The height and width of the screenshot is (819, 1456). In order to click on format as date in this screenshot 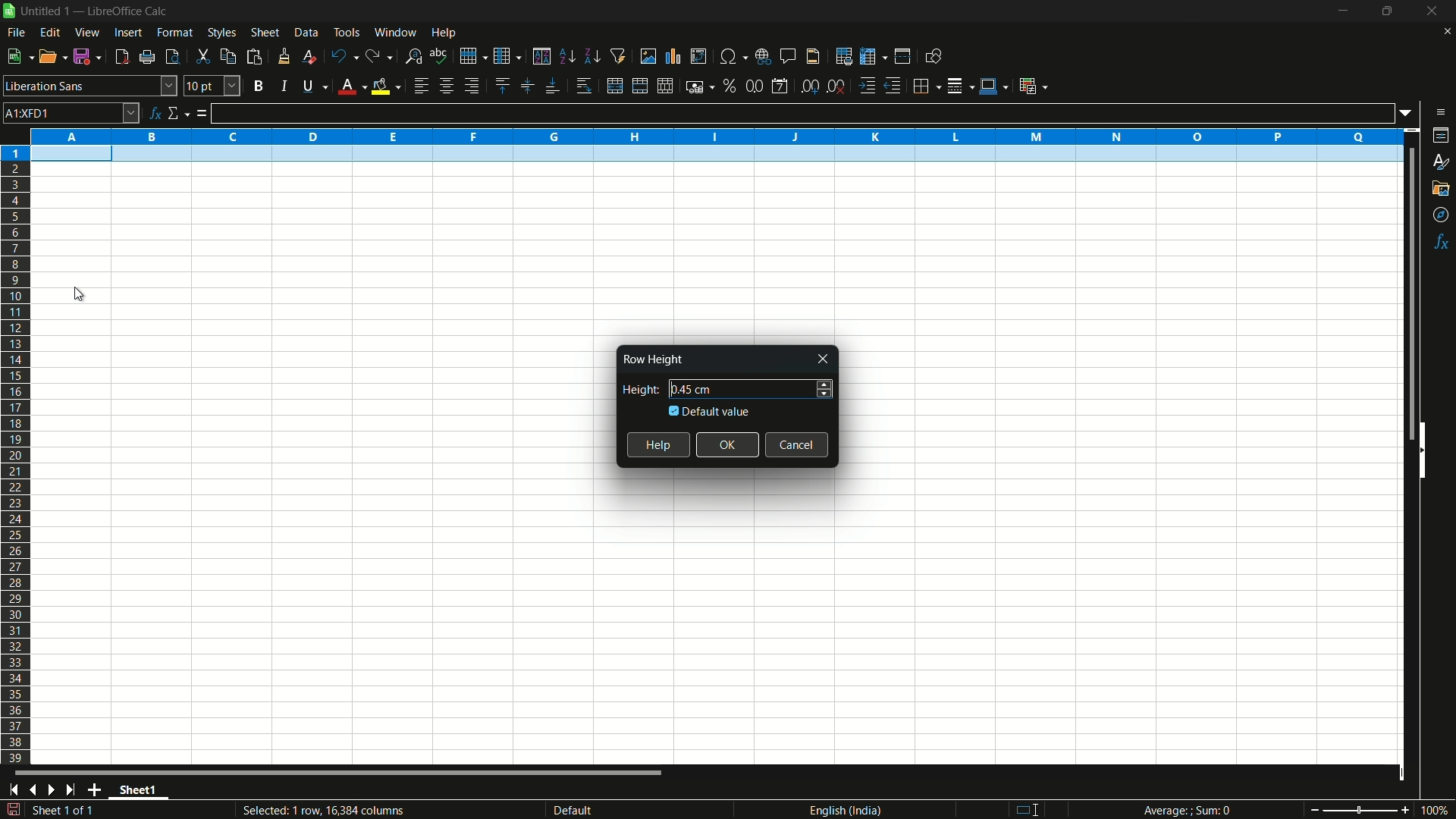, I will do `click(780, 86)`.